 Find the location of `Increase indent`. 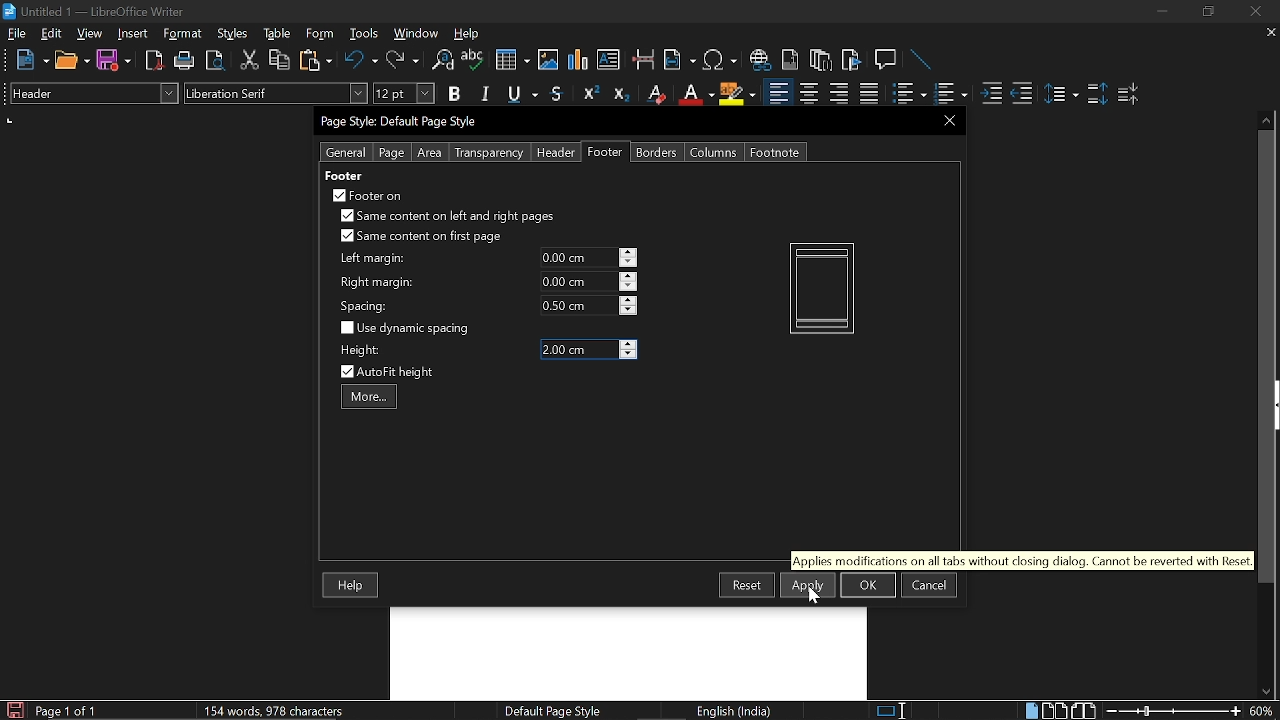

Increase indent is located at coordinates (990, 93).